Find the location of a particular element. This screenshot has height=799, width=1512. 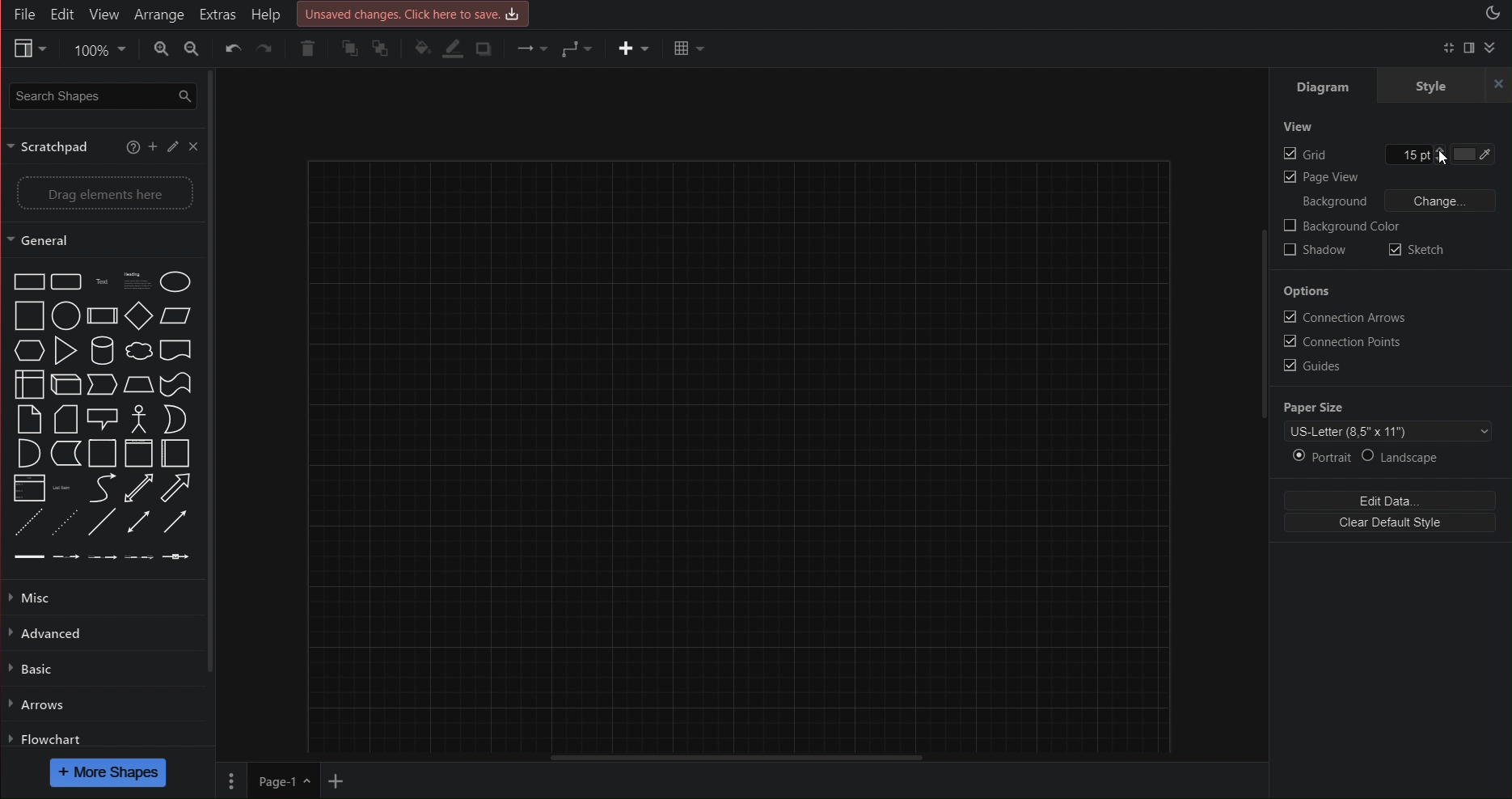

Delete is located at coordinates (306, 49).